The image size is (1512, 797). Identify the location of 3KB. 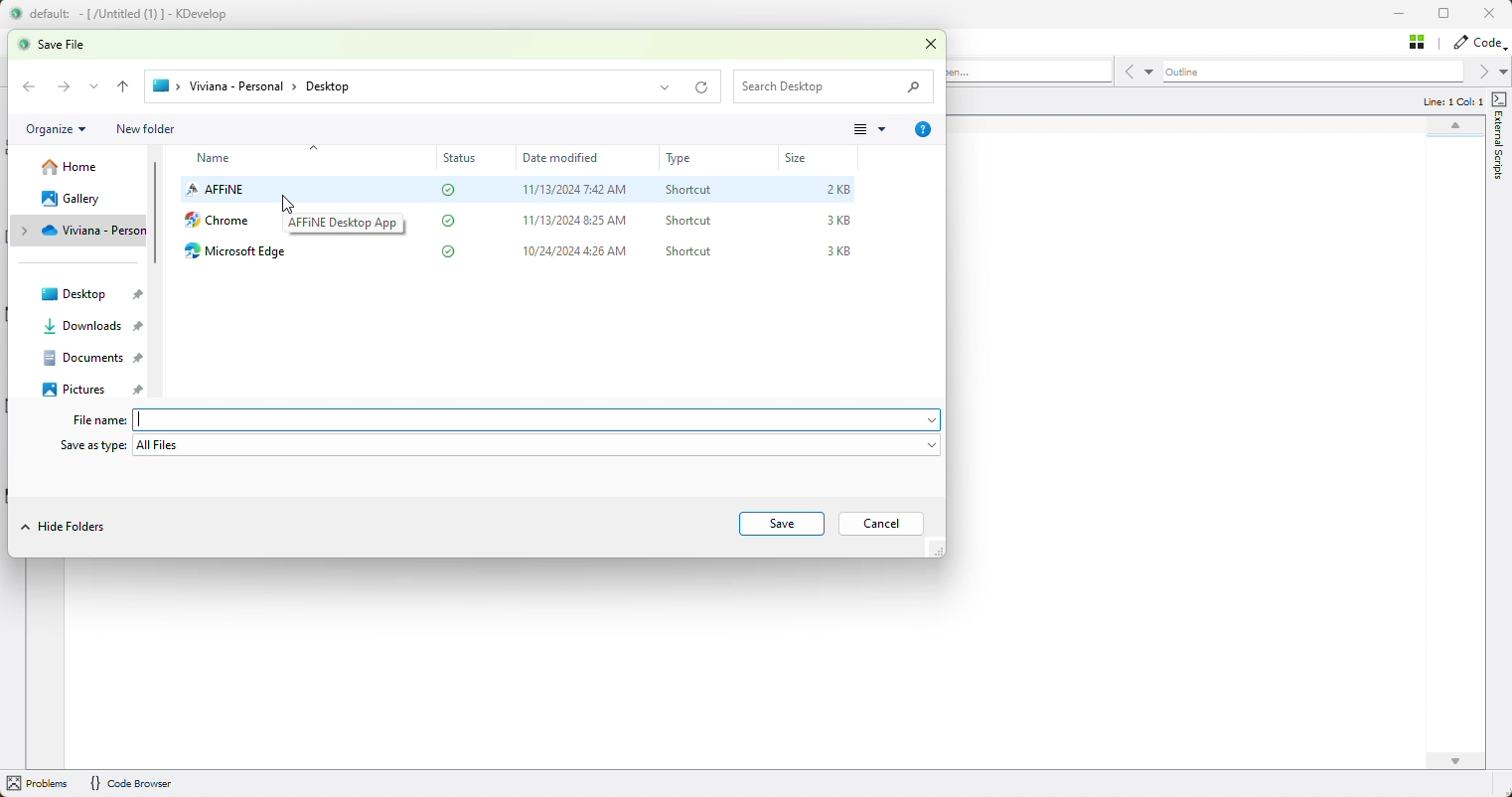
(838, 220).